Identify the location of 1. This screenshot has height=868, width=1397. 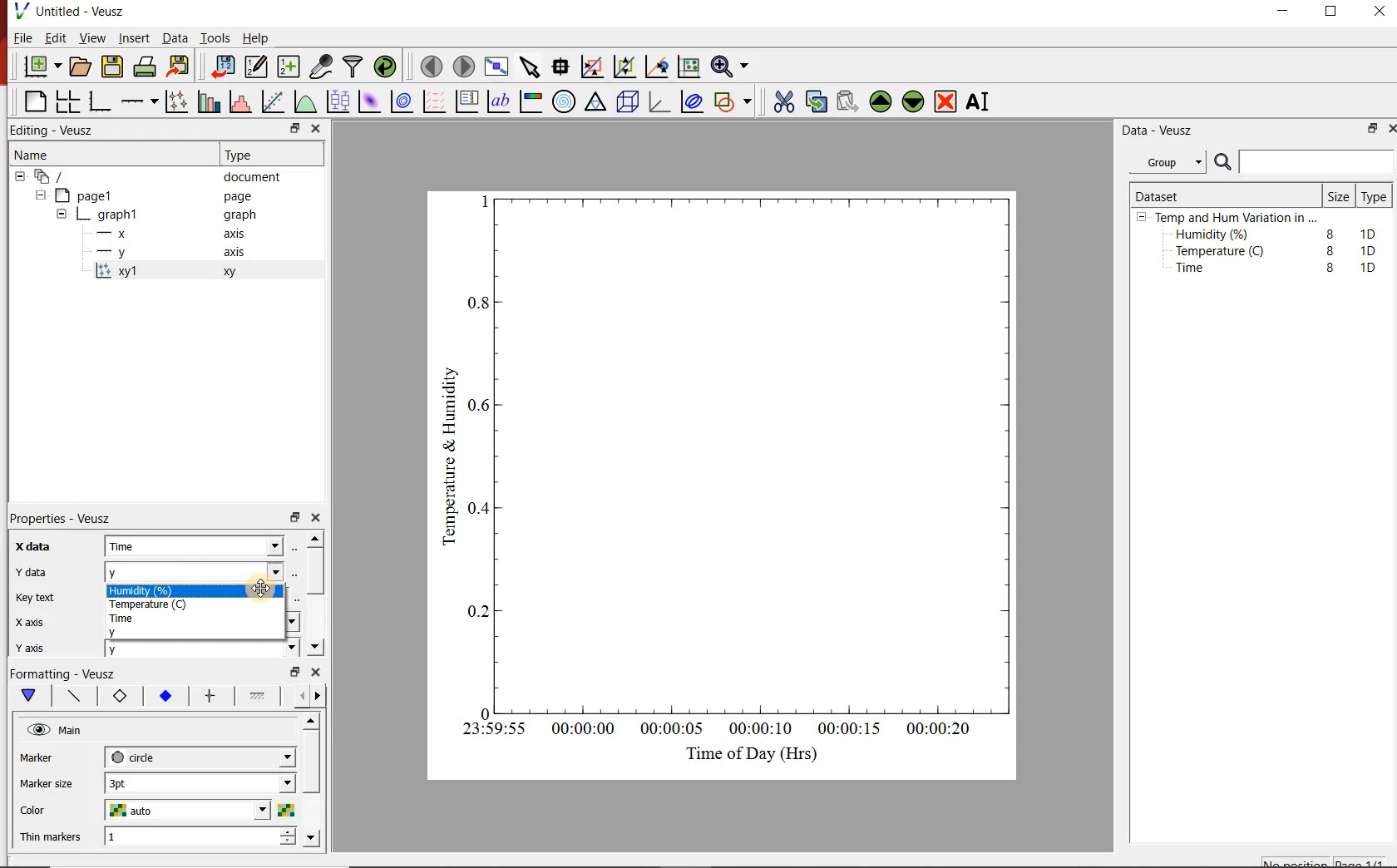
(160, 838).